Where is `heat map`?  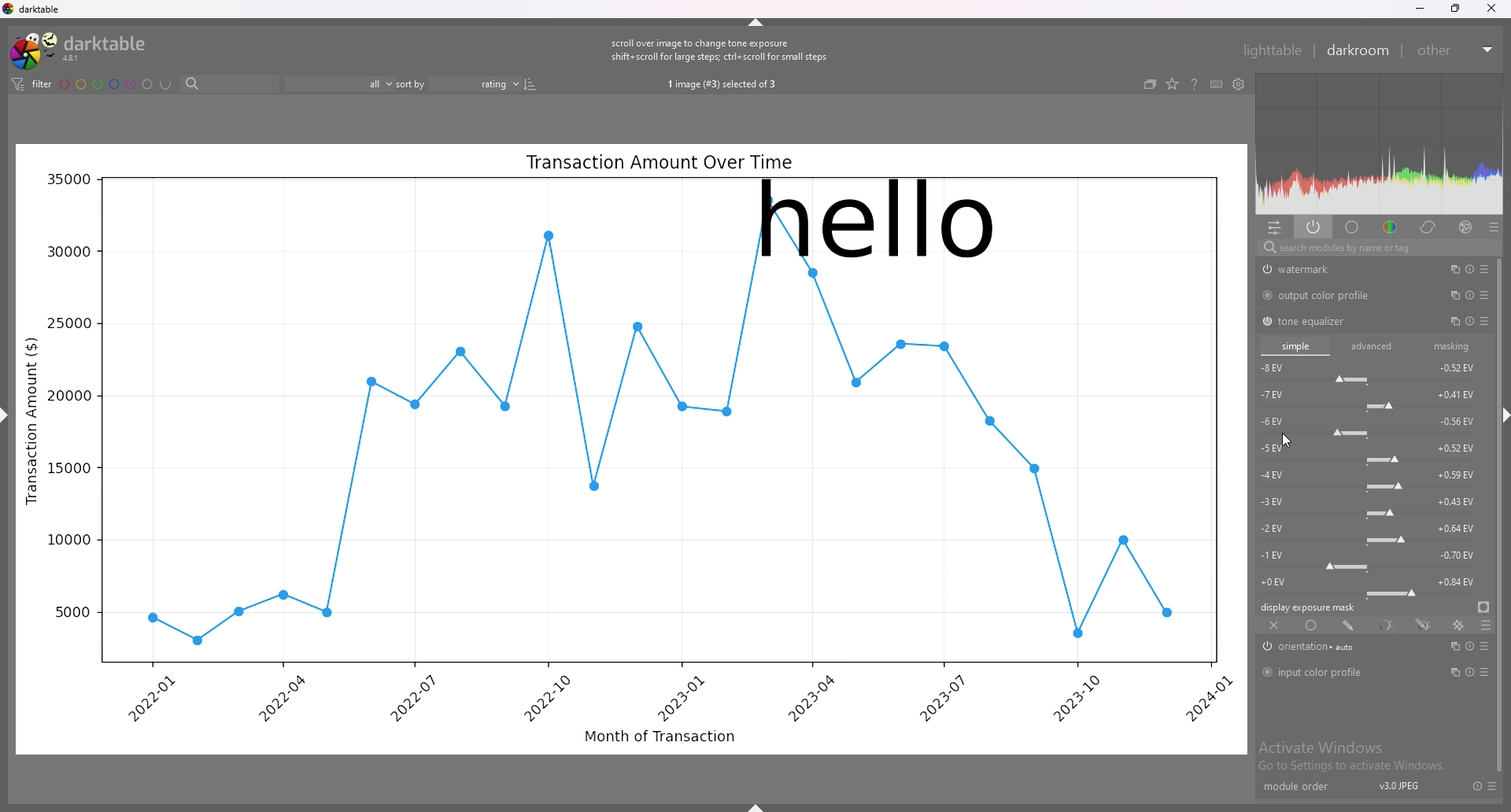
heat map is located at coordinates (1380, 143).